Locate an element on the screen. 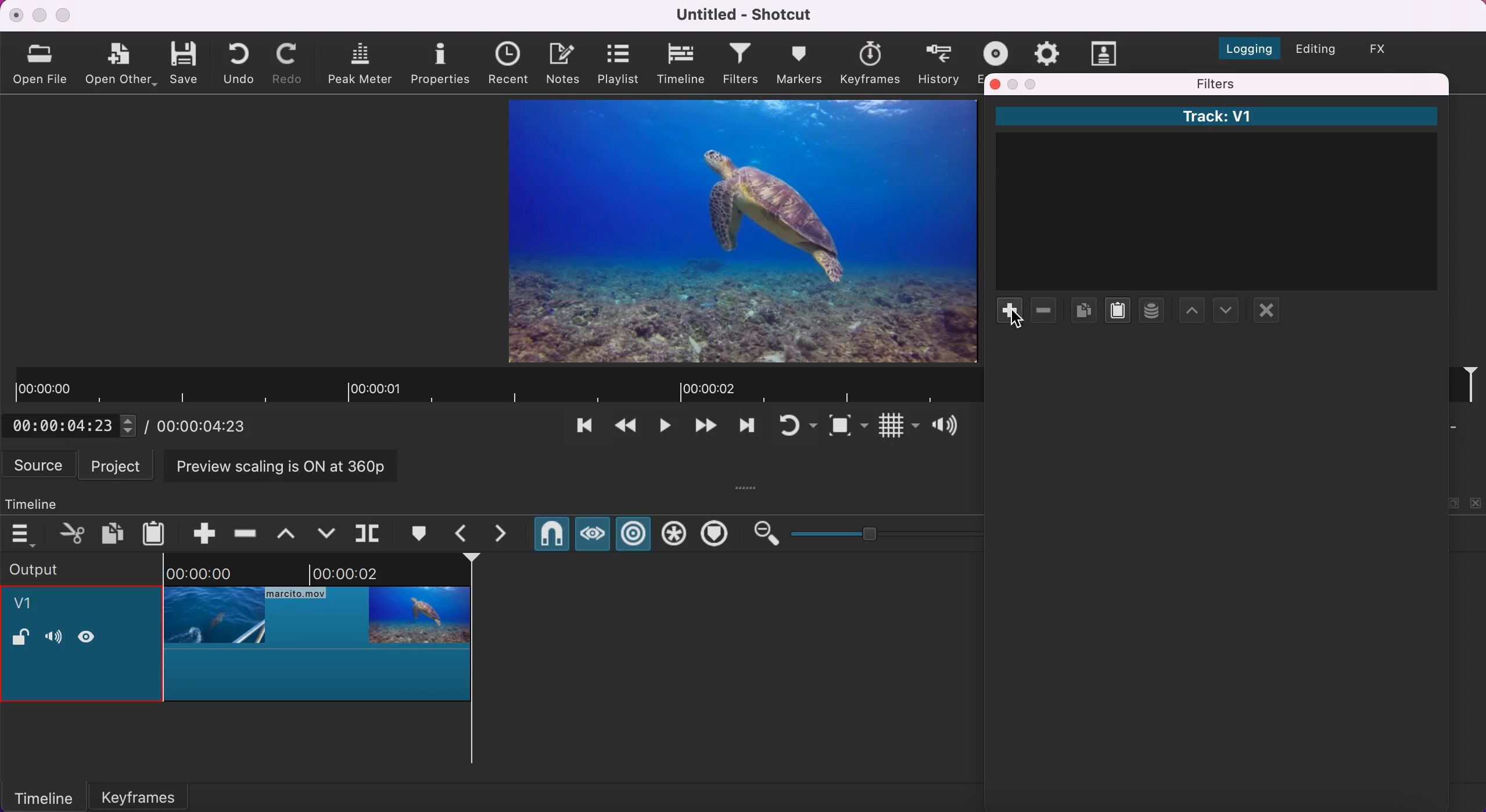 The height and width of the screenshot is (812, 1486). create/edit marker is located at coordinates (422, 534).